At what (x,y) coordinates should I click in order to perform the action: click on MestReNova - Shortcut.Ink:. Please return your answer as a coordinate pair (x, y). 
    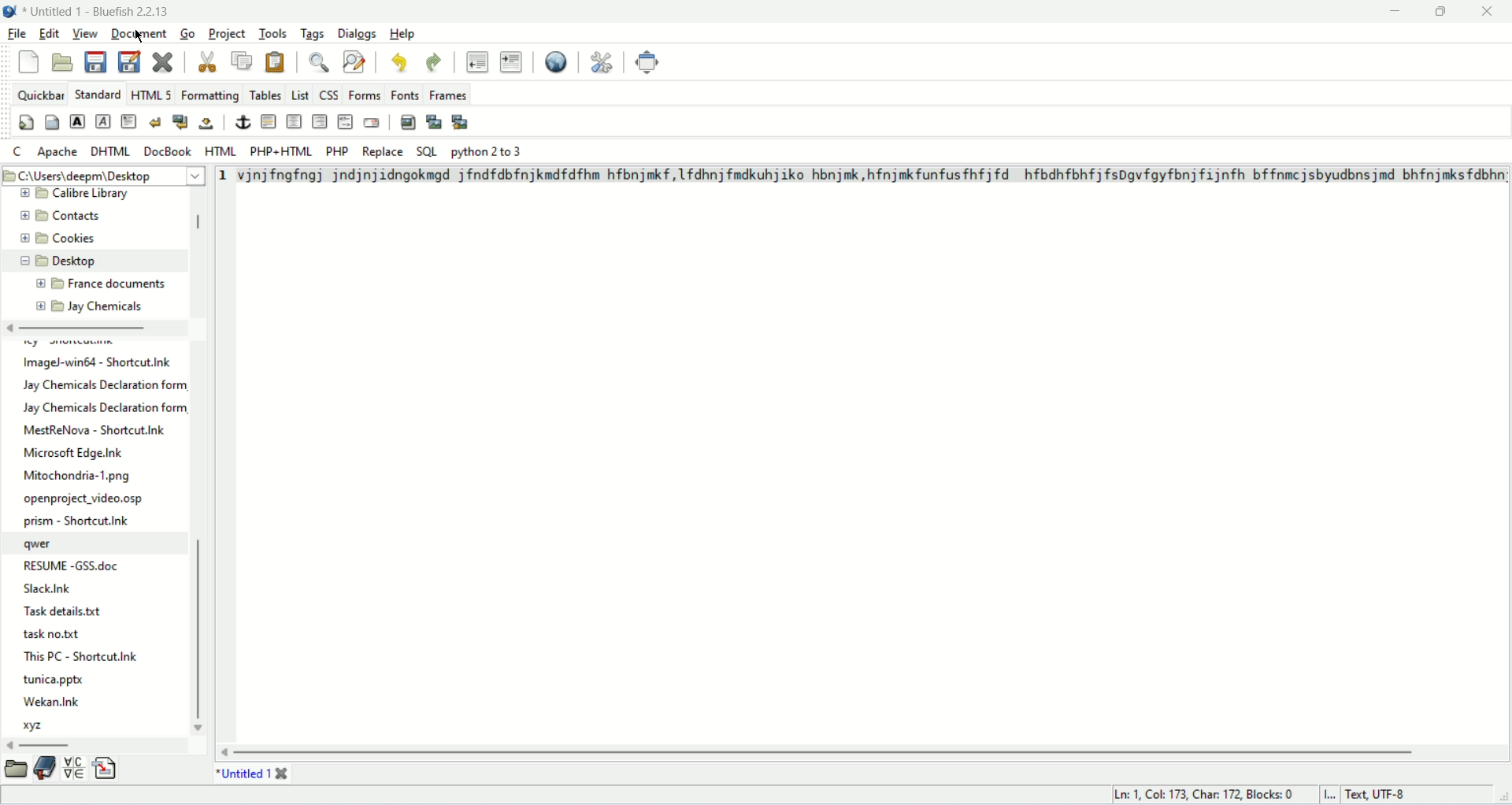
    Looking at the image, I should click on (95, 430).